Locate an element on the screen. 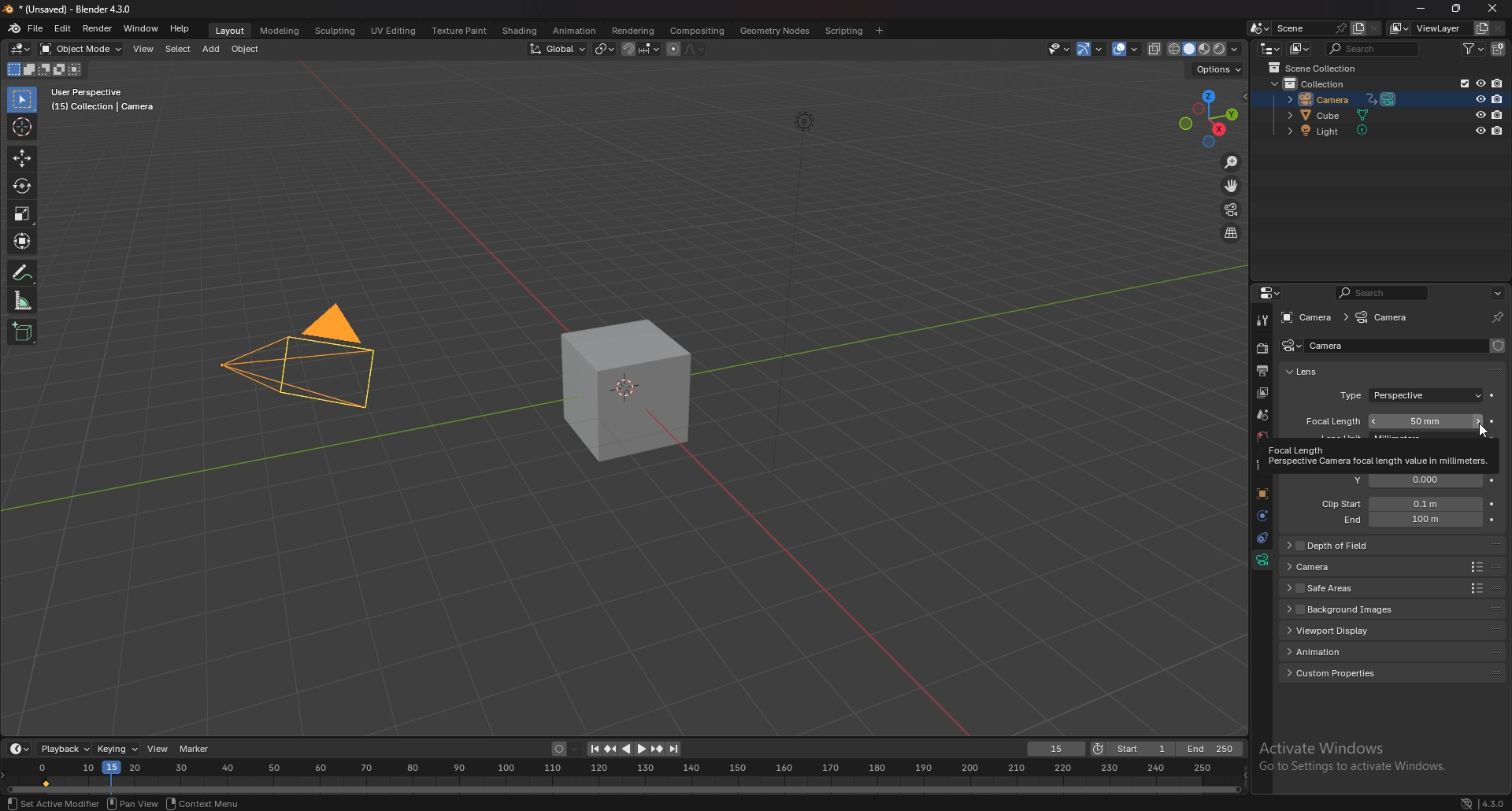  select is located at coordinates (176, 49).